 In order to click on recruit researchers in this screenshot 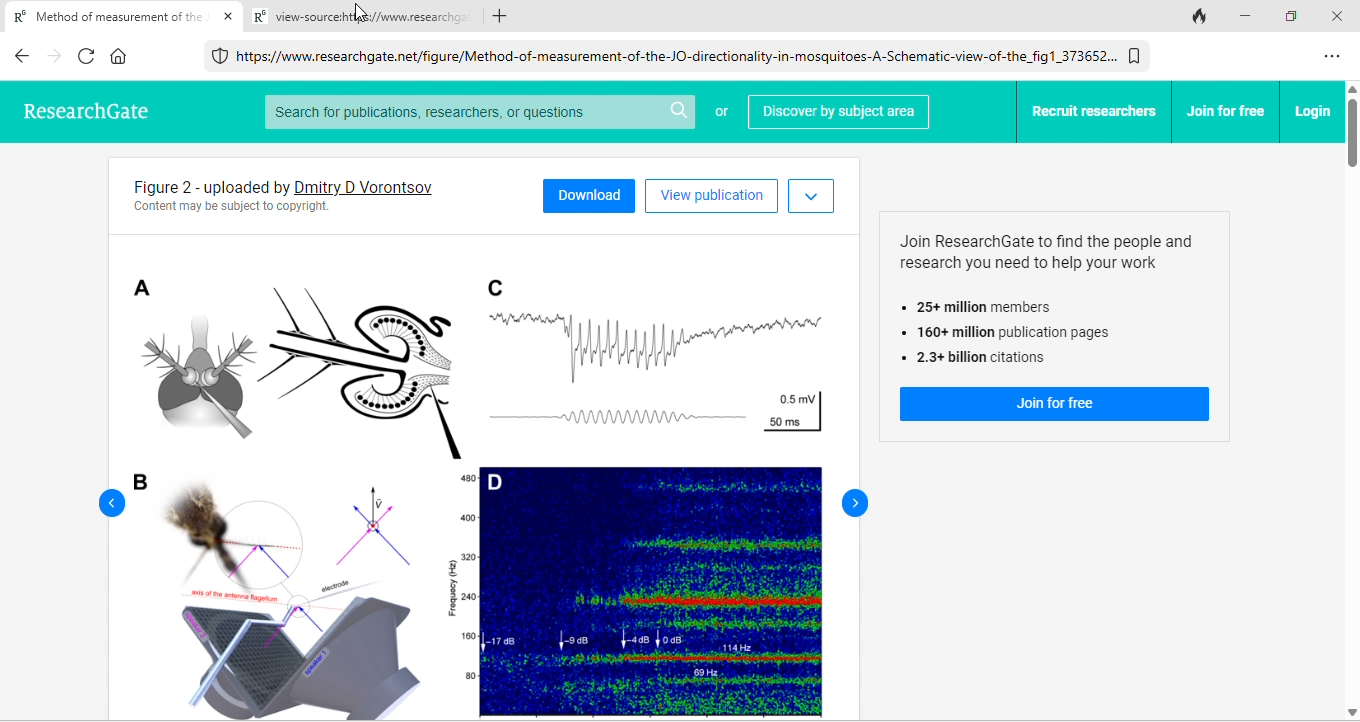, I will do `click(1090, 111)`.